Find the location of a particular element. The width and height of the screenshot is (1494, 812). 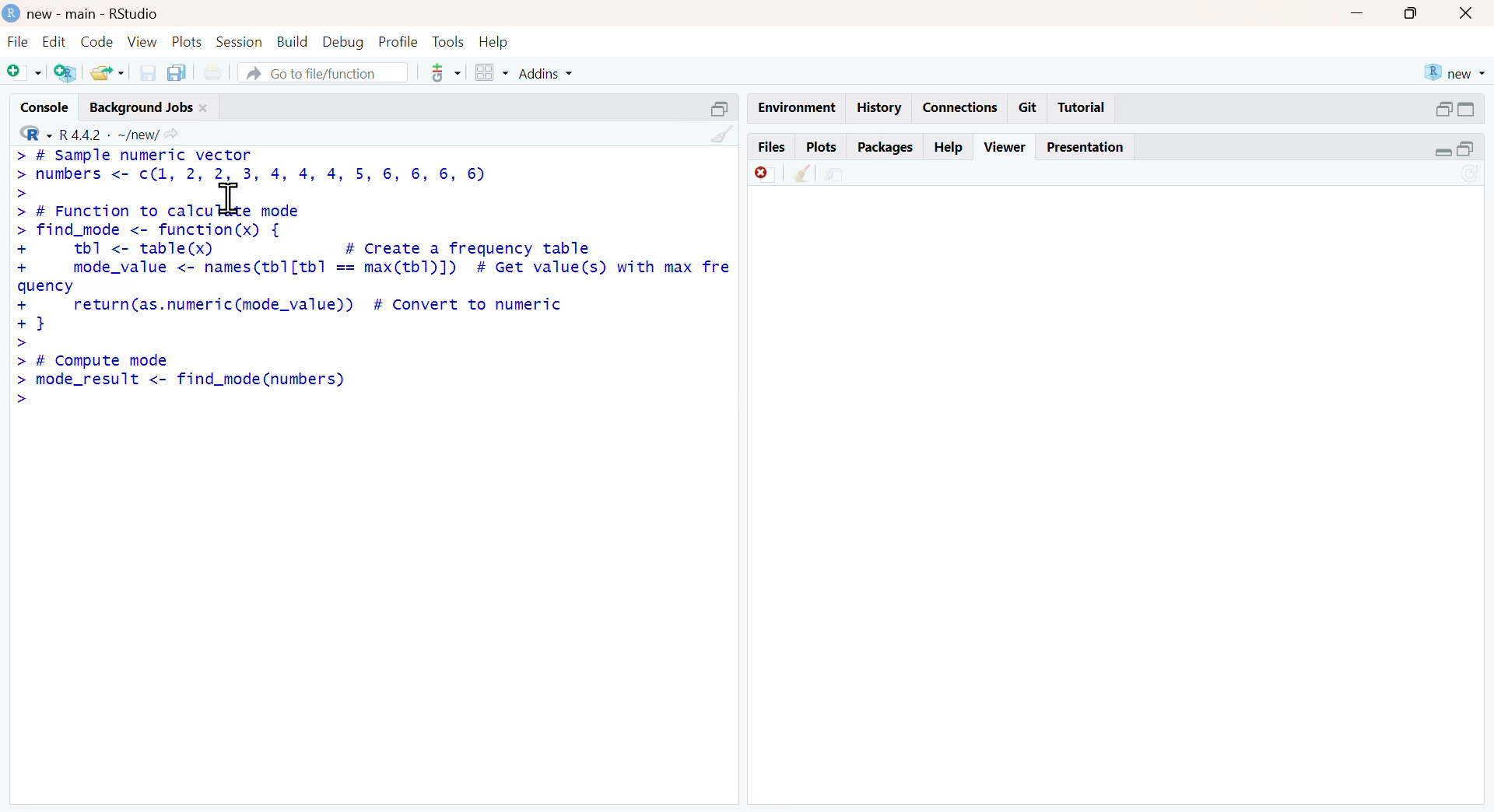

tools is located at coordinates (450, 41).